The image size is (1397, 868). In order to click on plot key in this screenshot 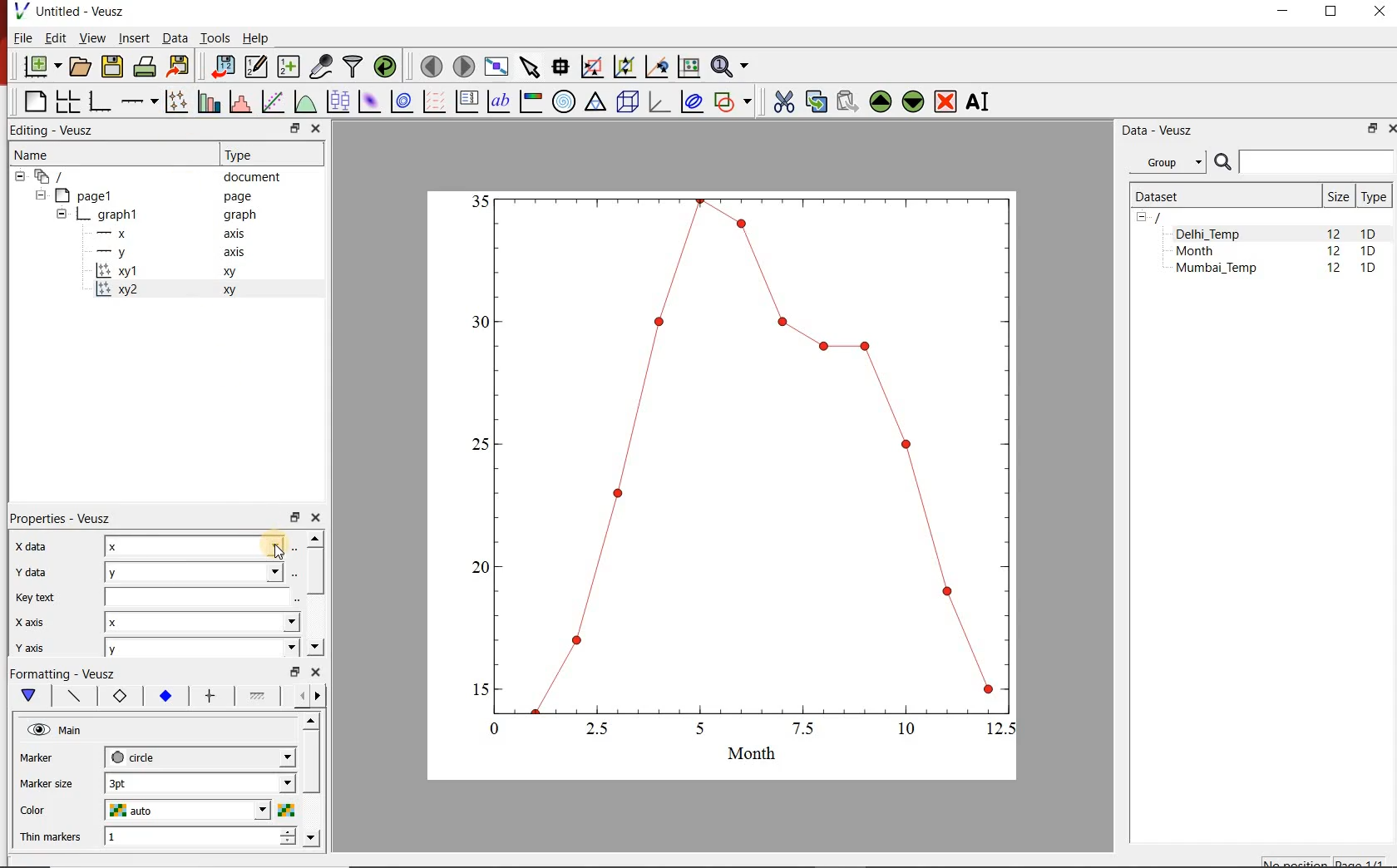, I will do `click(466, 102)`.